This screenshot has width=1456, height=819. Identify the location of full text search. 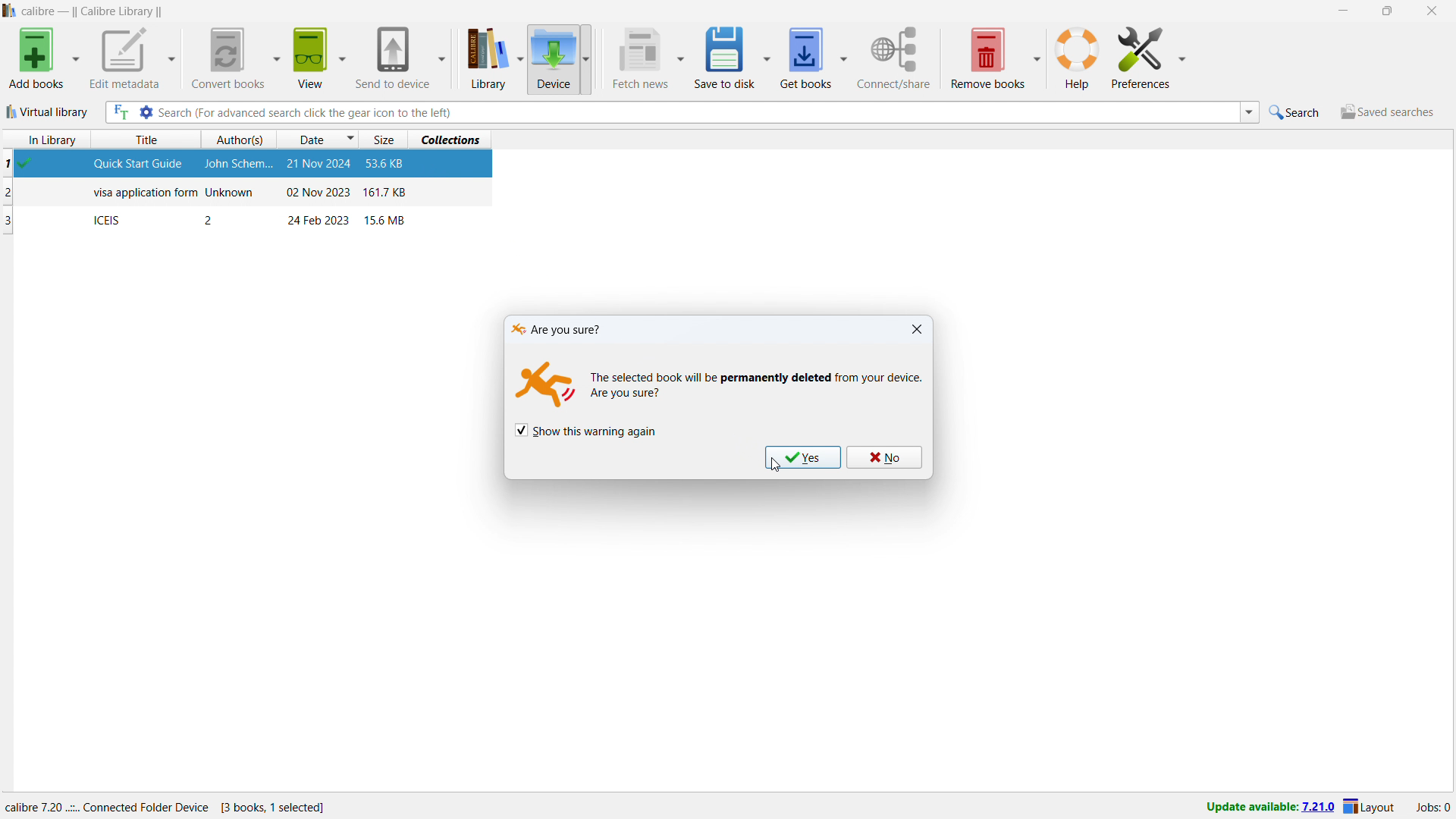
(119, 113).